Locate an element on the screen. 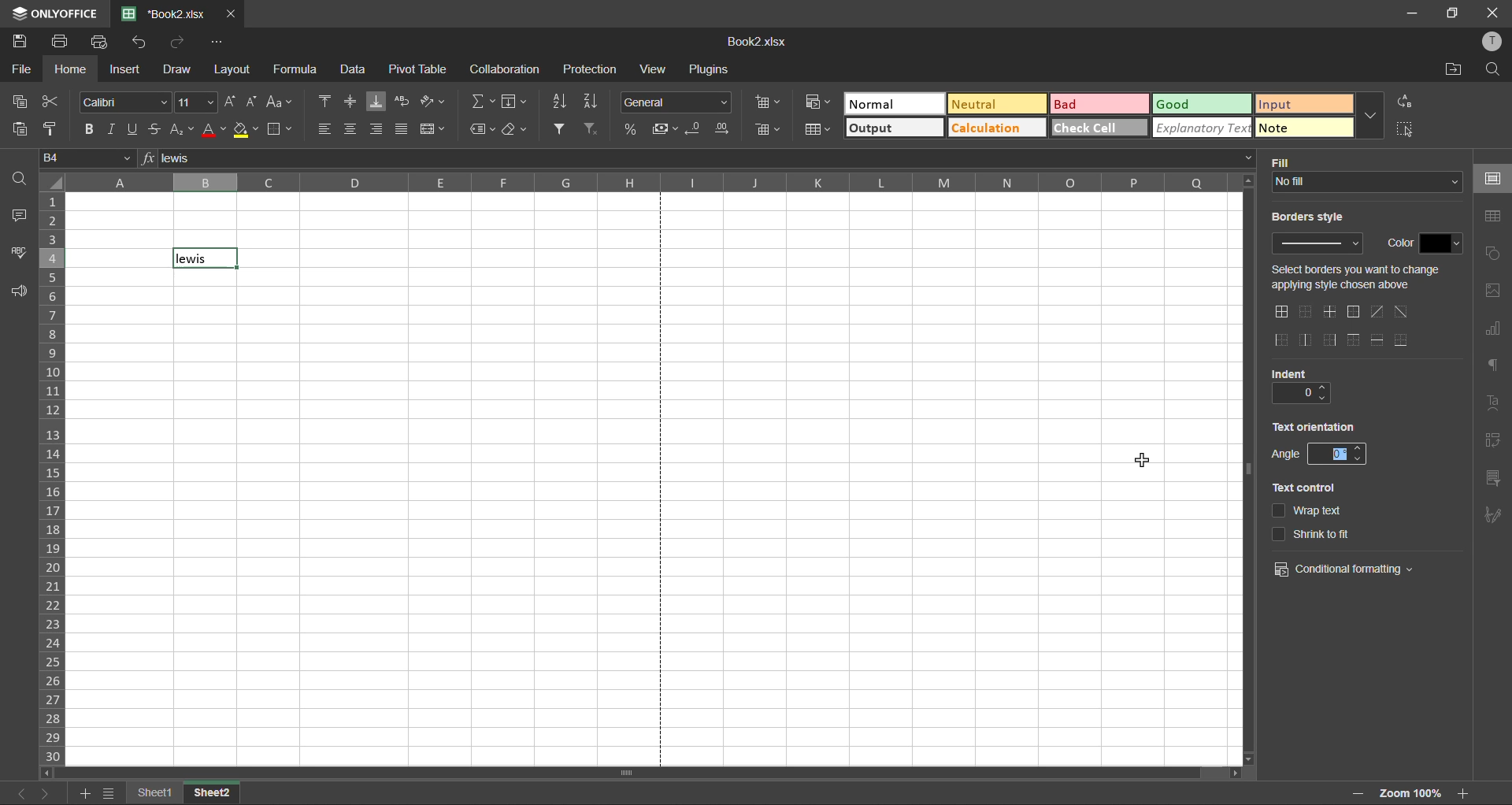 The image size is (1512, 805). horizontal scrollbar is located at coordinates (625, 772).